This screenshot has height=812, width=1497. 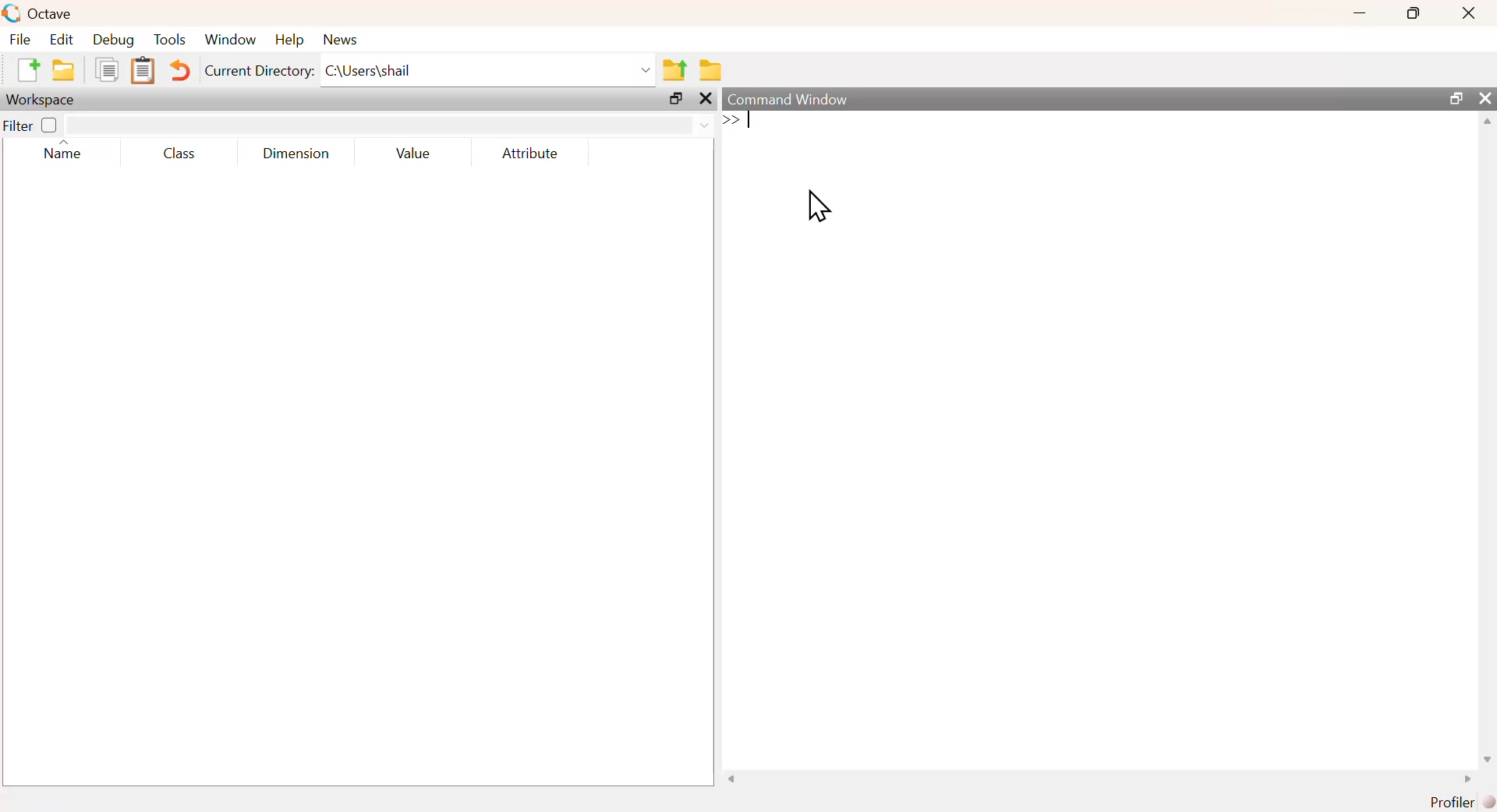 I want to click on New file, so click(x=27, y=69).